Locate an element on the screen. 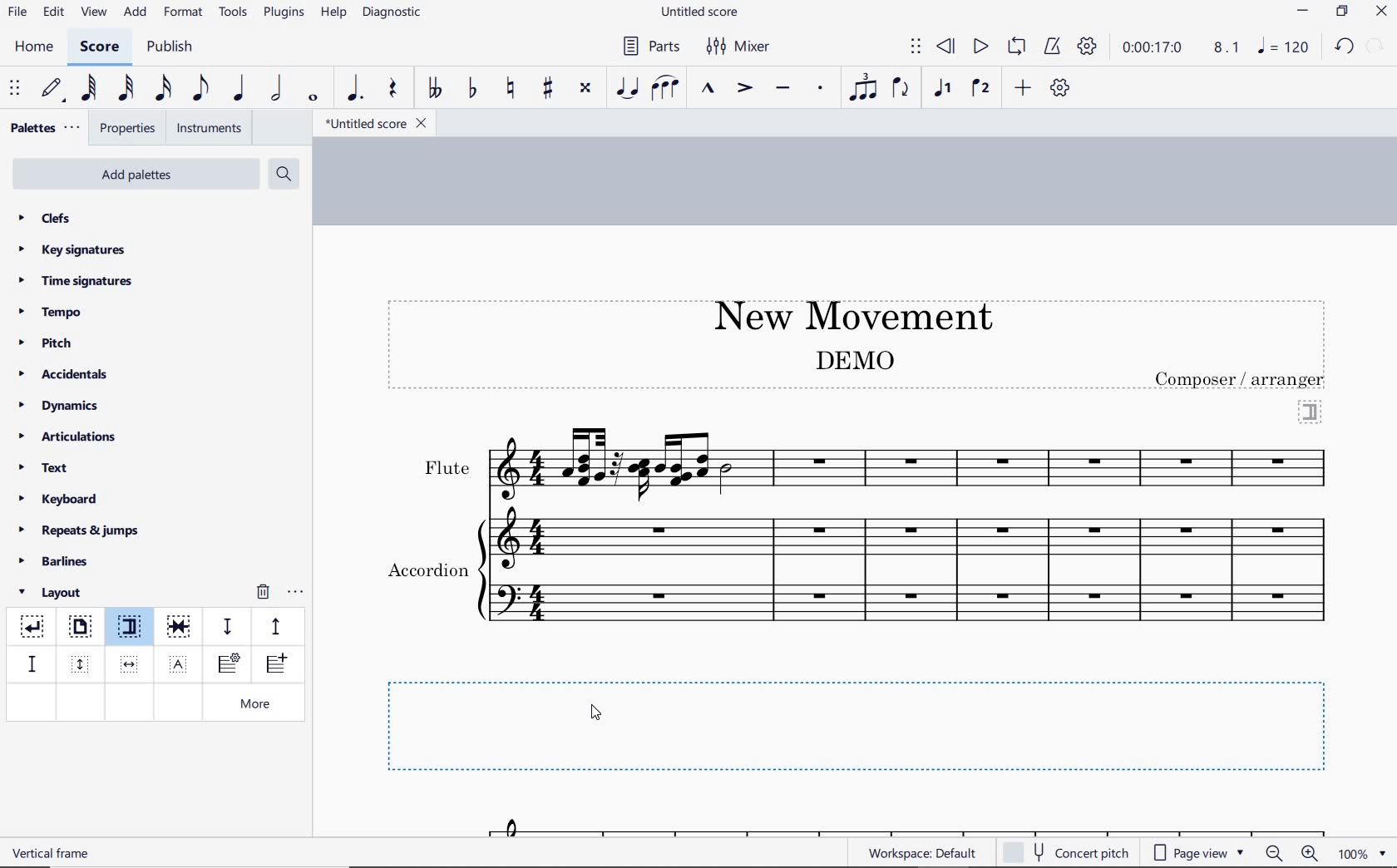  zoom out is located at coordinates (1276, 853).